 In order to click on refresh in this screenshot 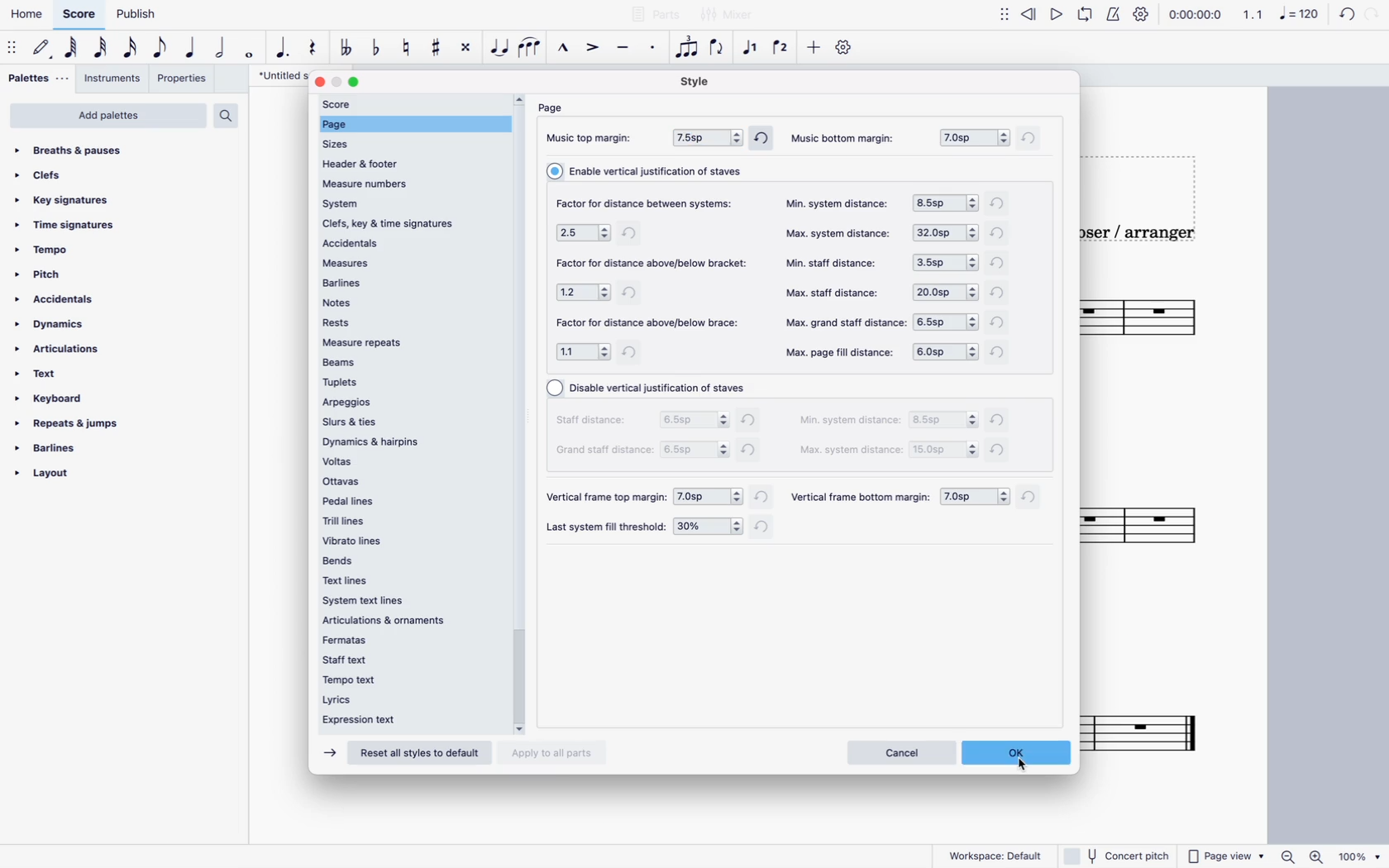, I will do `click(1001, 325)`.